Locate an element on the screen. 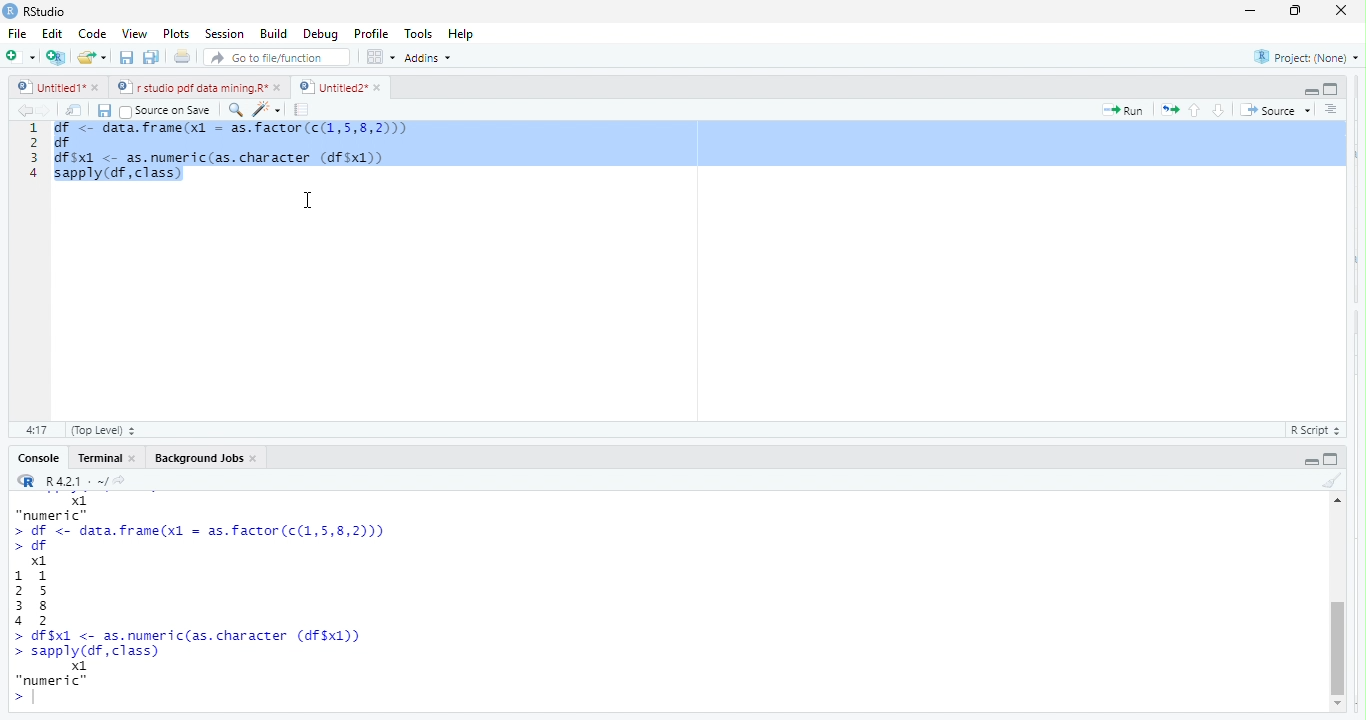 The image size is (1366, 720). maximize is located at coordinates (1294, 11).